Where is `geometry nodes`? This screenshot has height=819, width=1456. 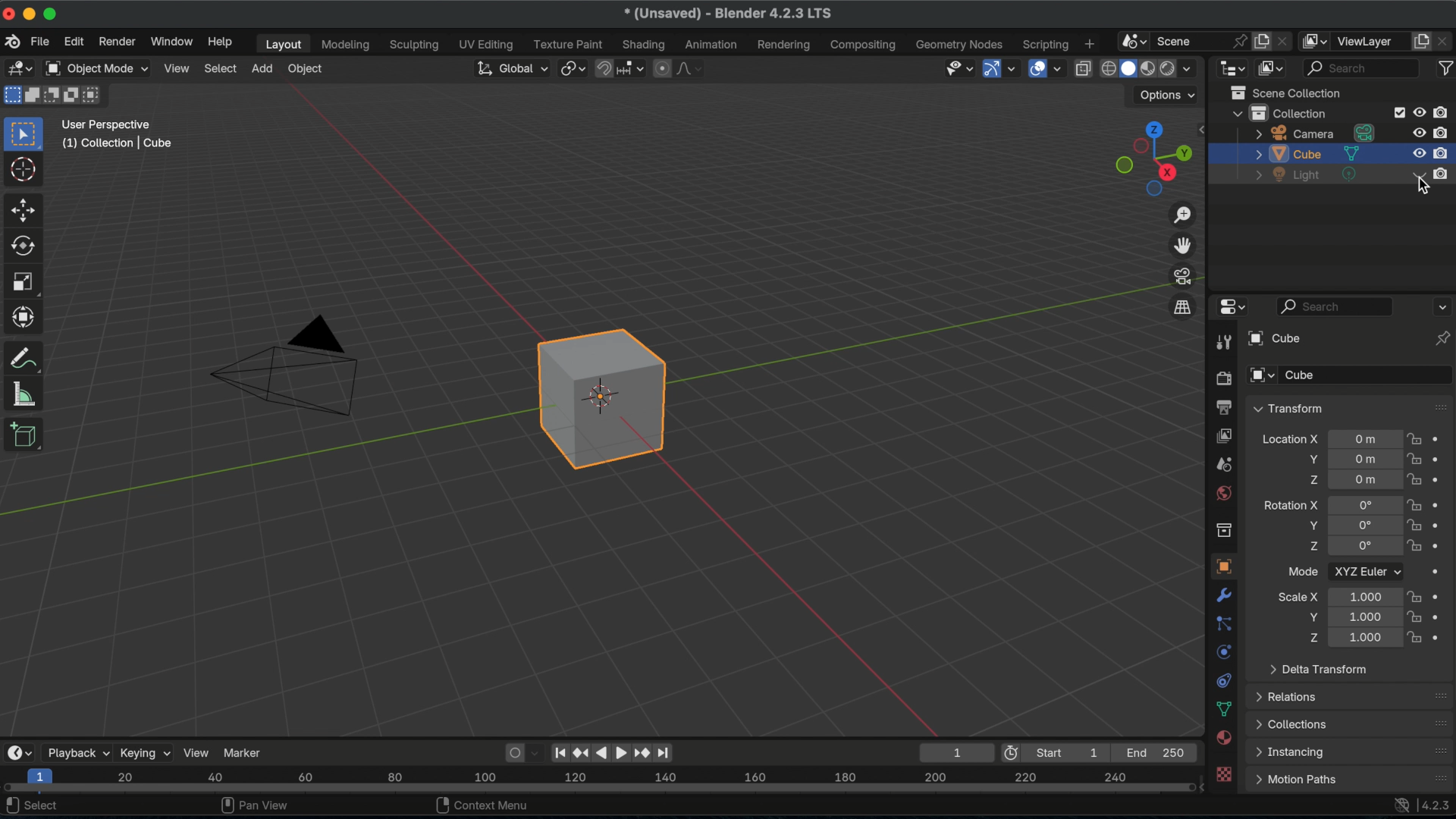 geometry nodes is located at coordinates (937, 45).